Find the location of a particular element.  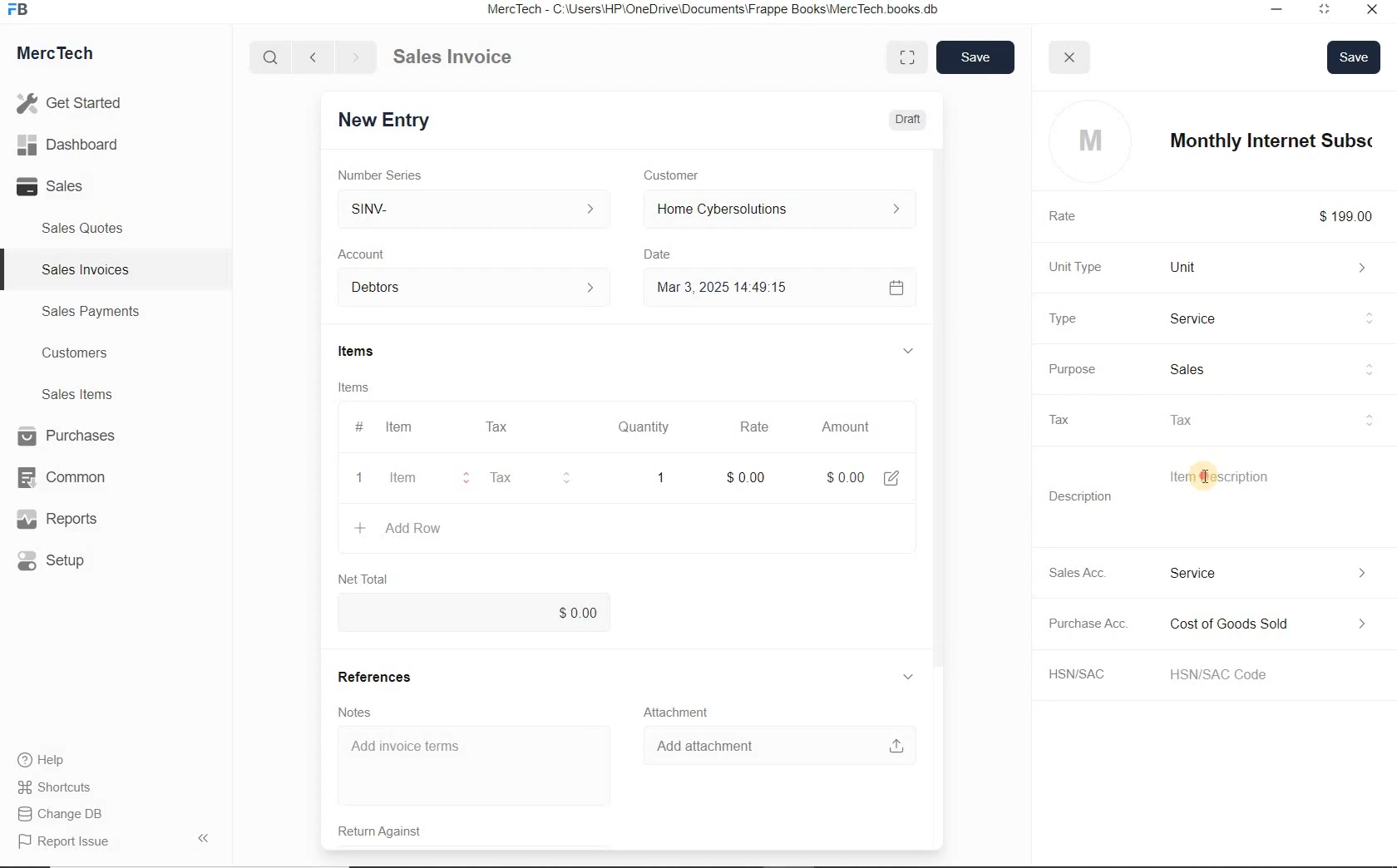

Type is located at coordinates (1061, 318).